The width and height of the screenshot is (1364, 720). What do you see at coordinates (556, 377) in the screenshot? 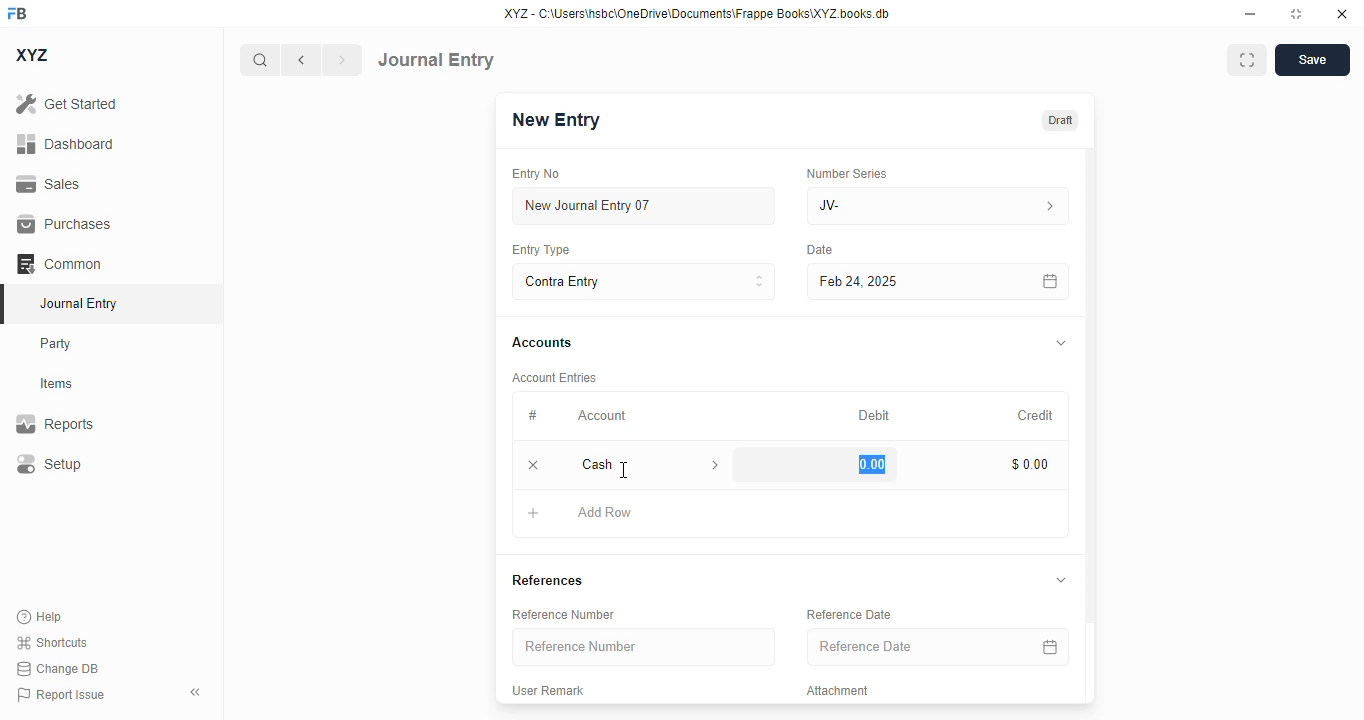
I see `account entries` at bounding box center [556, 377].